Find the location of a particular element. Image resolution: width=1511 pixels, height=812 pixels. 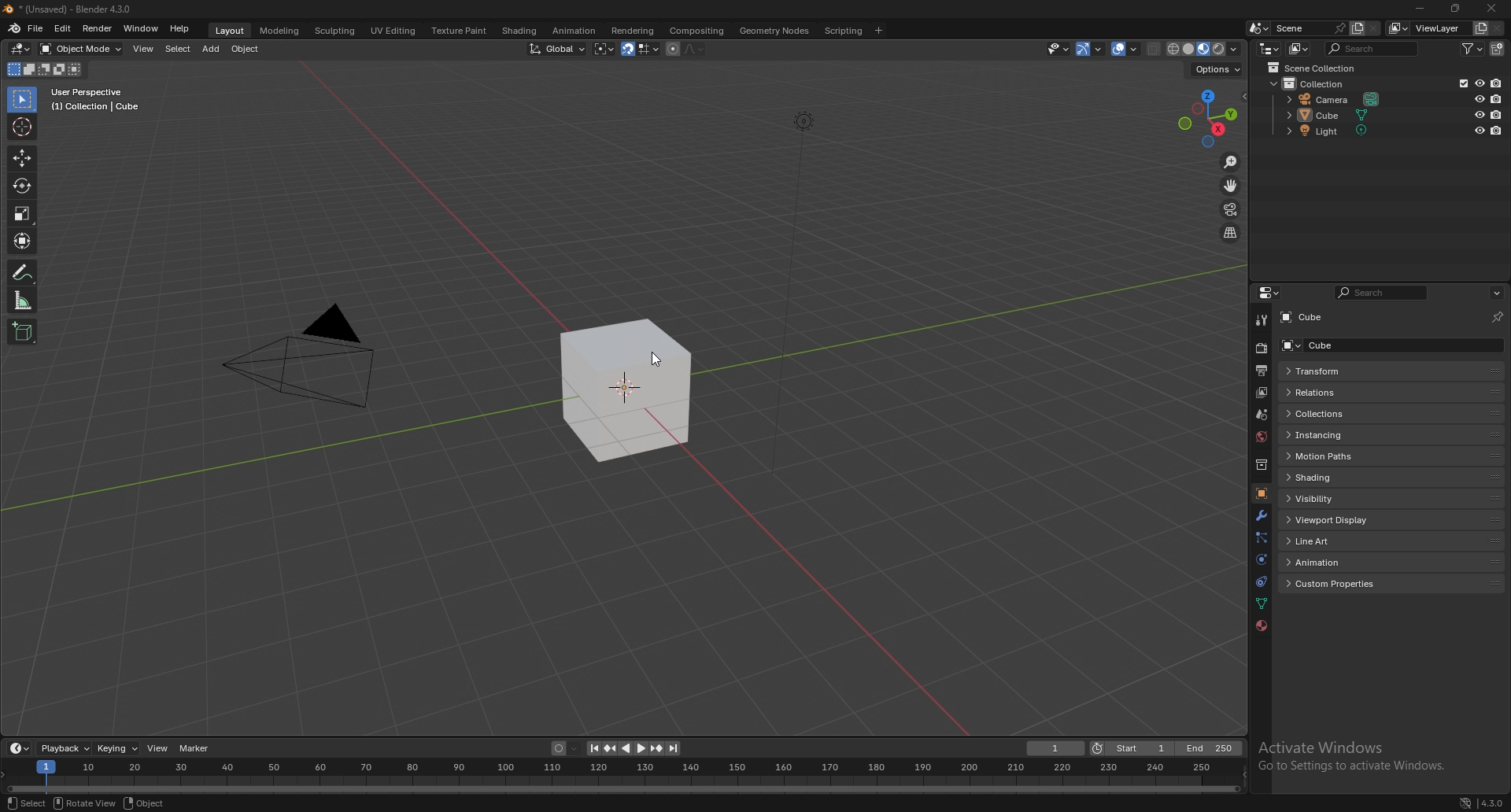

move is located at coordinates (1232, 186).